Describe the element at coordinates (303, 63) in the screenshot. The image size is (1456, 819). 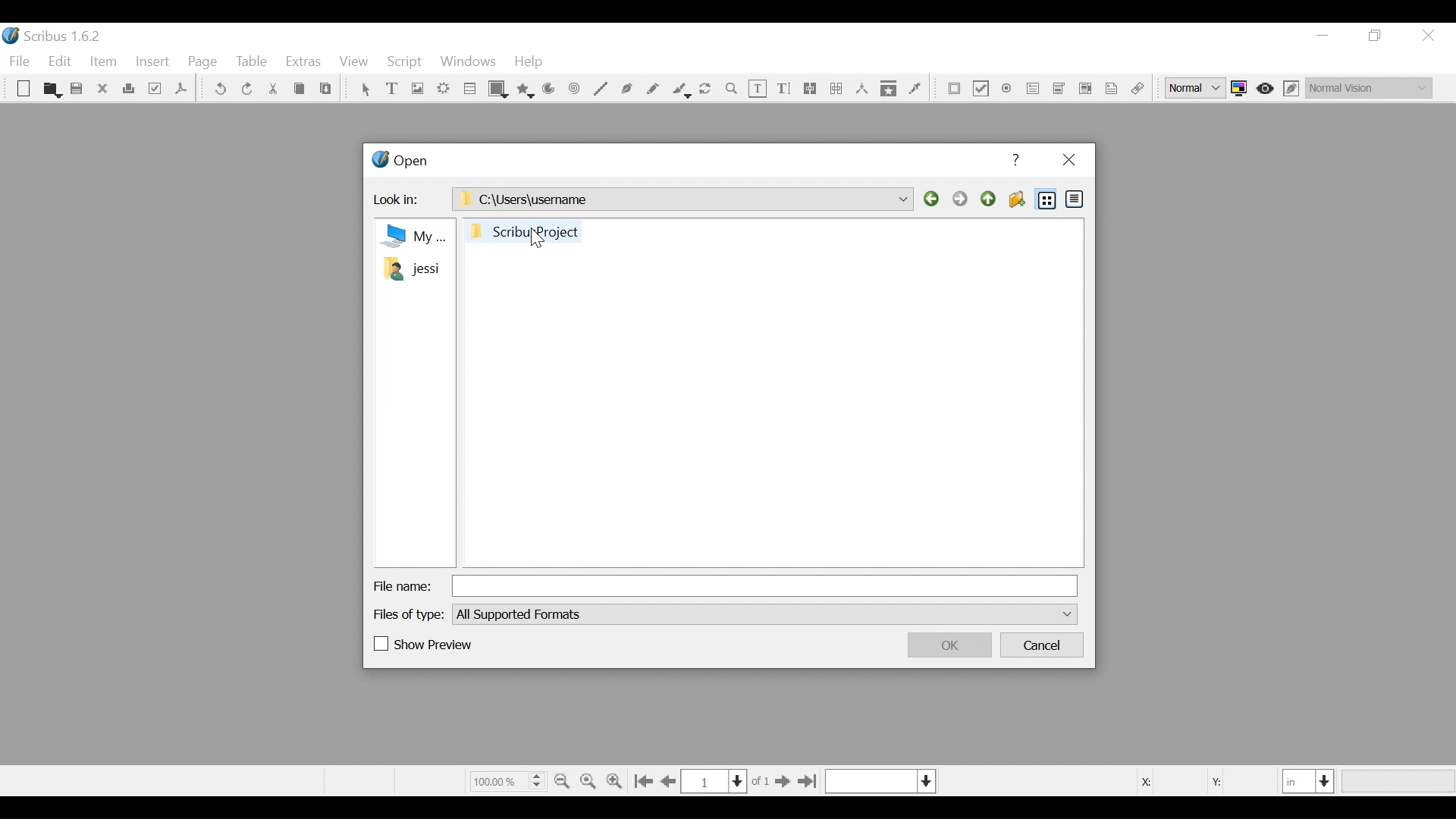
I see `Extras` at that location.